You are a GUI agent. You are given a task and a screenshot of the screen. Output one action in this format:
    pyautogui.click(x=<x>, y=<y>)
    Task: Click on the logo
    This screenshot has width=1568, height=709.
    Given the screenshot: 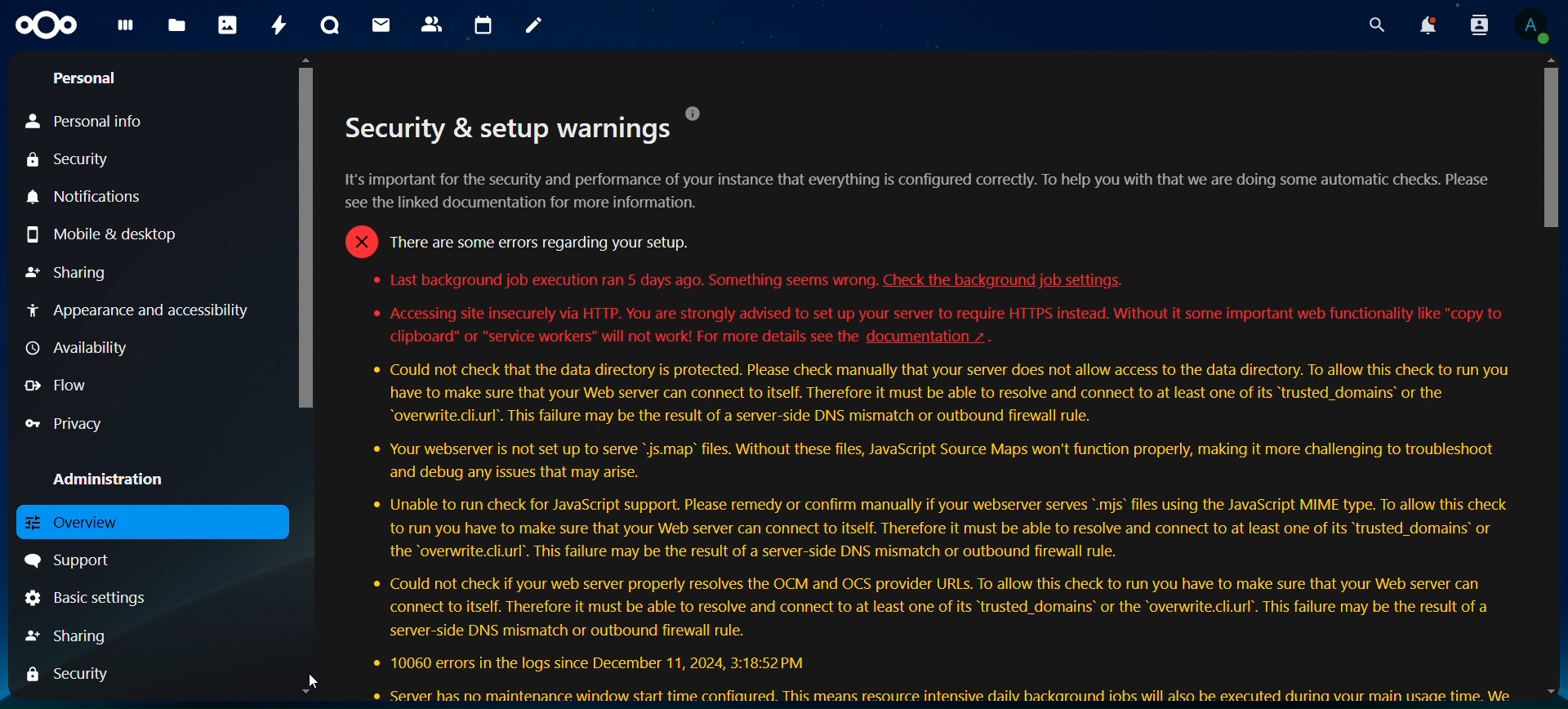 What is the action you would take?
    pyautogui.click(x=47, y=26)
    